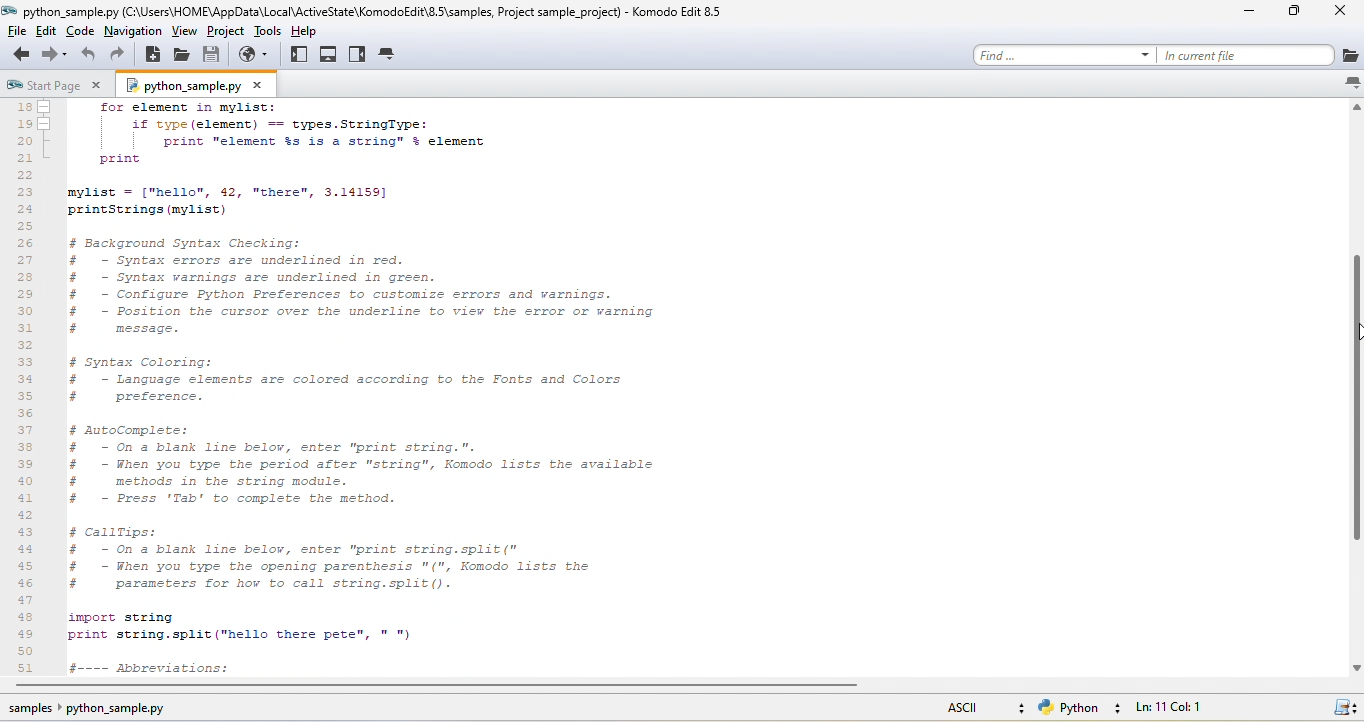  What do you see at coordinates (102, 710) in the screenshot?
I see `sample python` at bounding box center [102, 710].